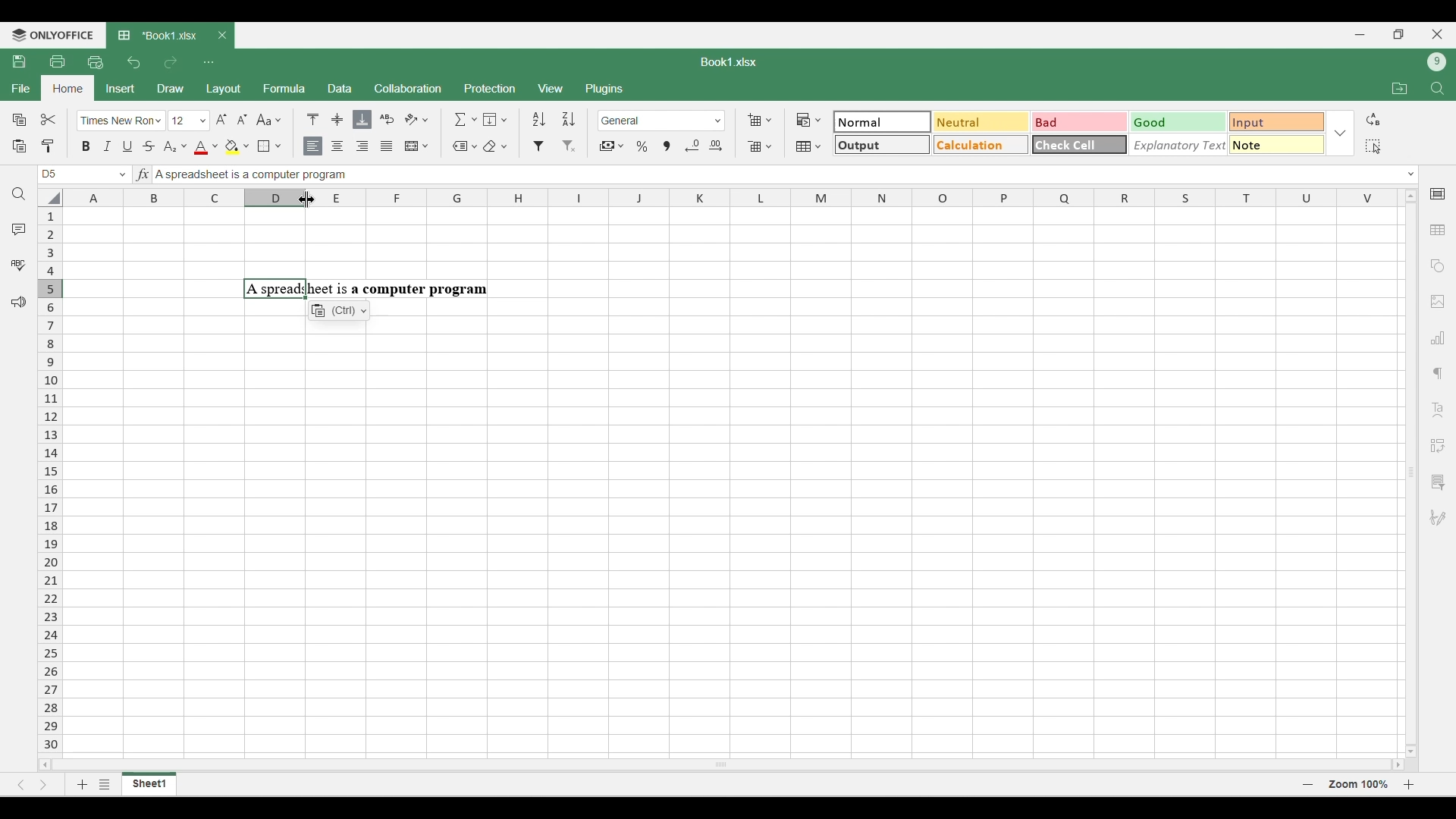  What do you see at coordinates (1412, 472) in the screenshot?
I see `Vertical slide bar` at bounding box center [1412, 472].